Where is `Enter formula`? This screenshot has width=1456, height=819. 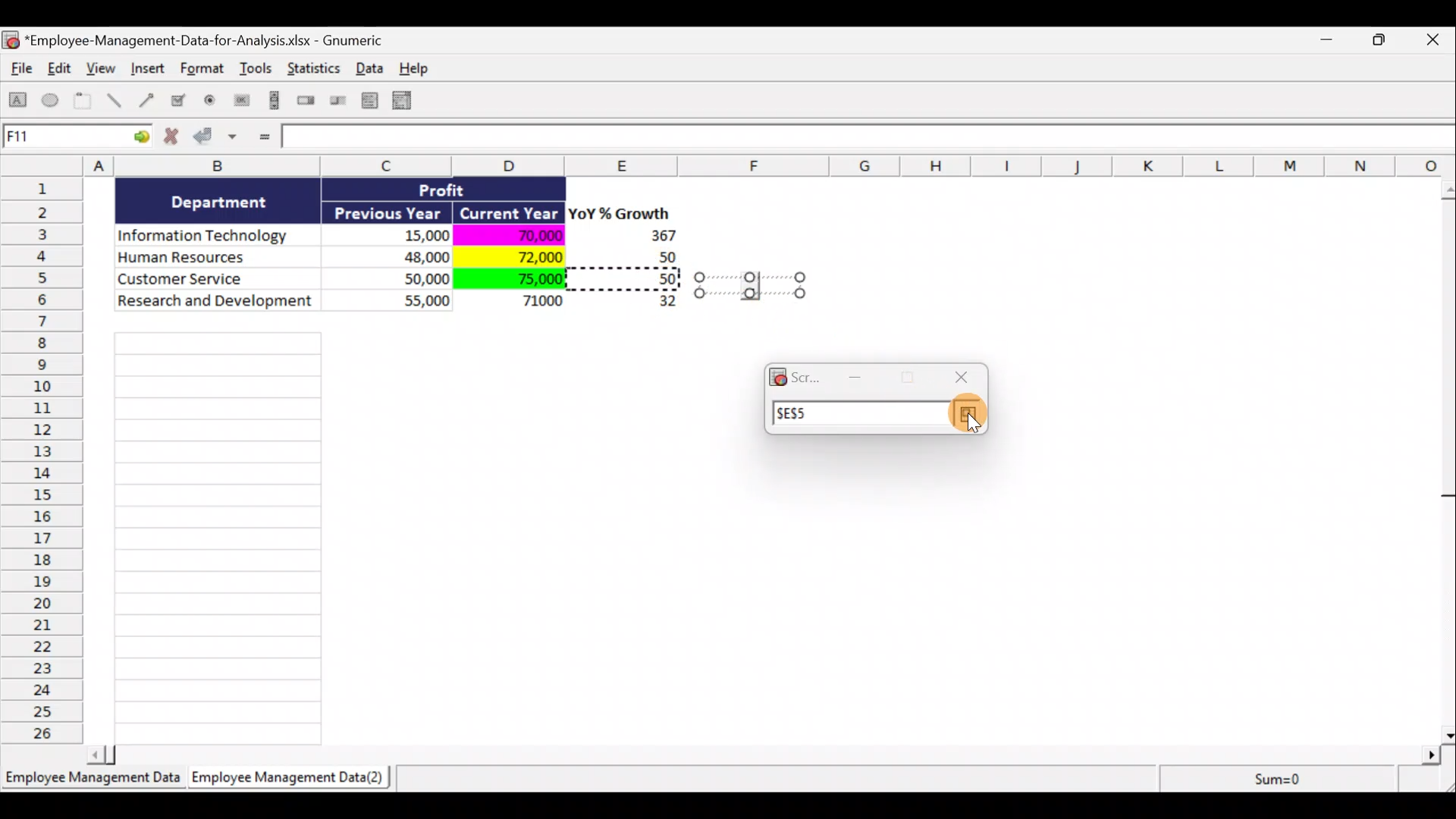 Enter formula is located at coordinates (262, 138).